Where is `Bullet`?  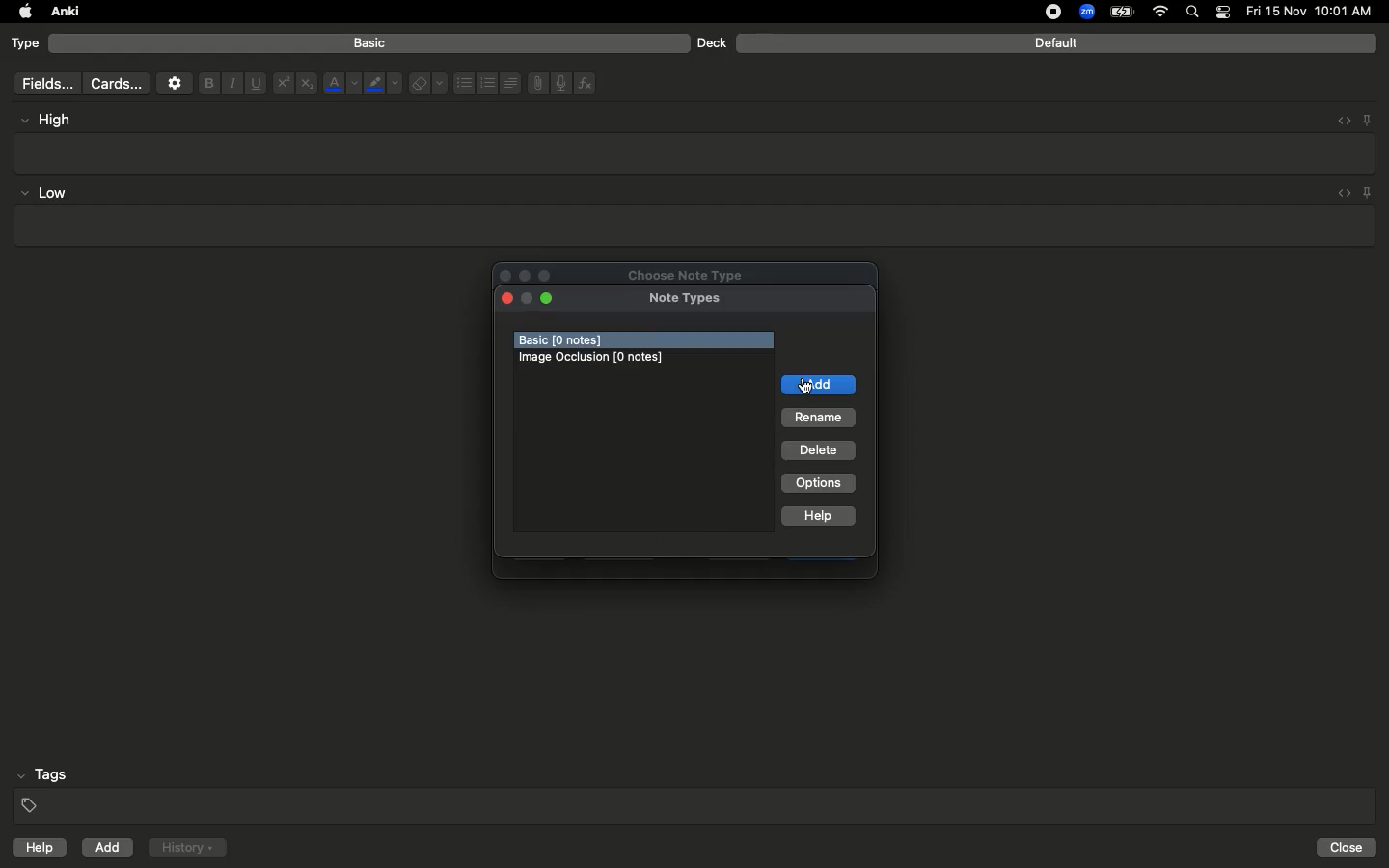 Bullet is located at coordinates (463, 83).